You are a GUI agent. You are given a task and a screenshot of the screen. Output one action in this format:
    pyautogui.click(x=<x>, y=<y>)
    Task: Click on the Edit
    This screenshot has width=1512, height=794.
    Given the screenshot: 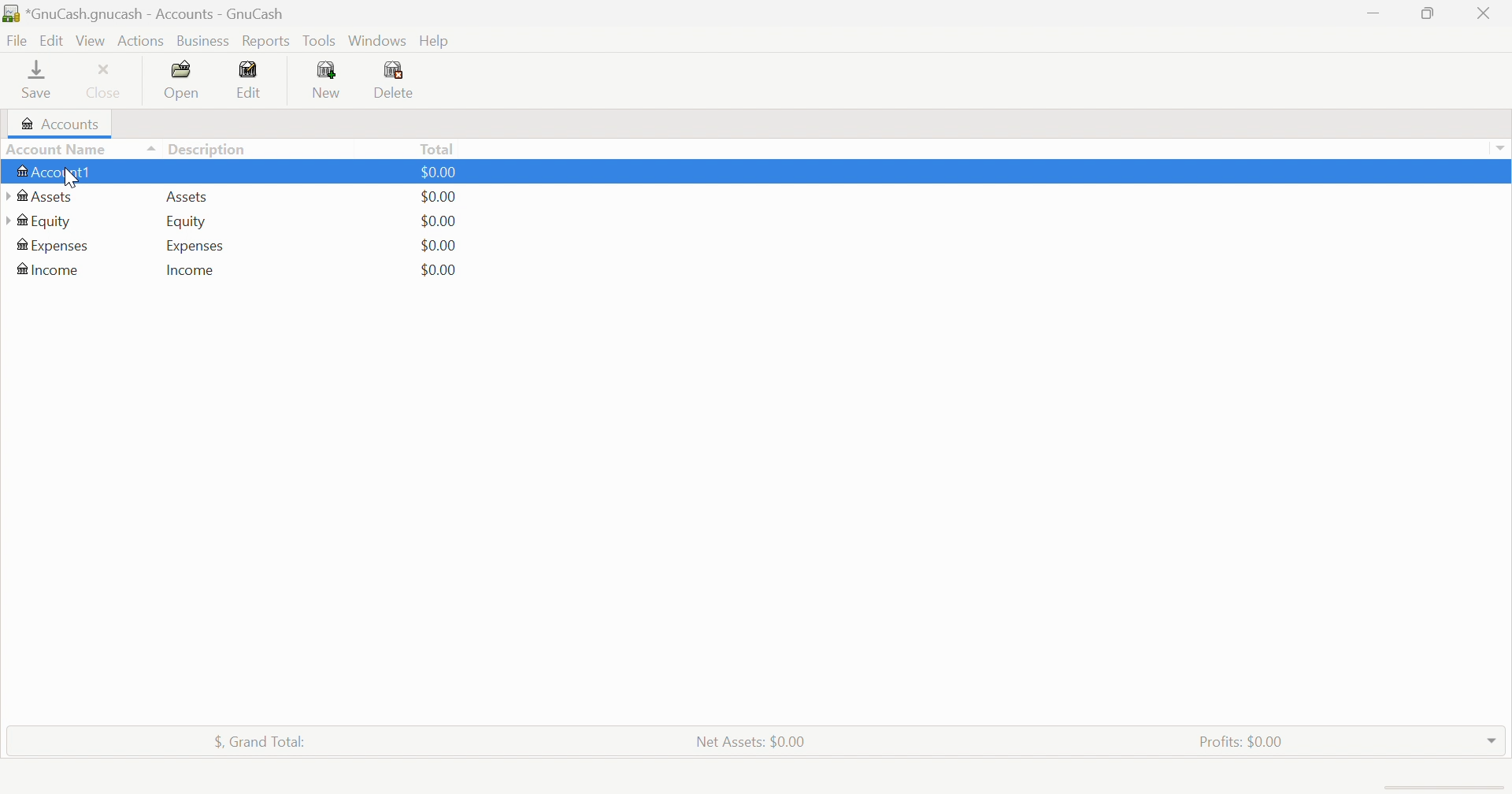 What is the action you would take?
    pyautogui.click(x=254, y=80)
    